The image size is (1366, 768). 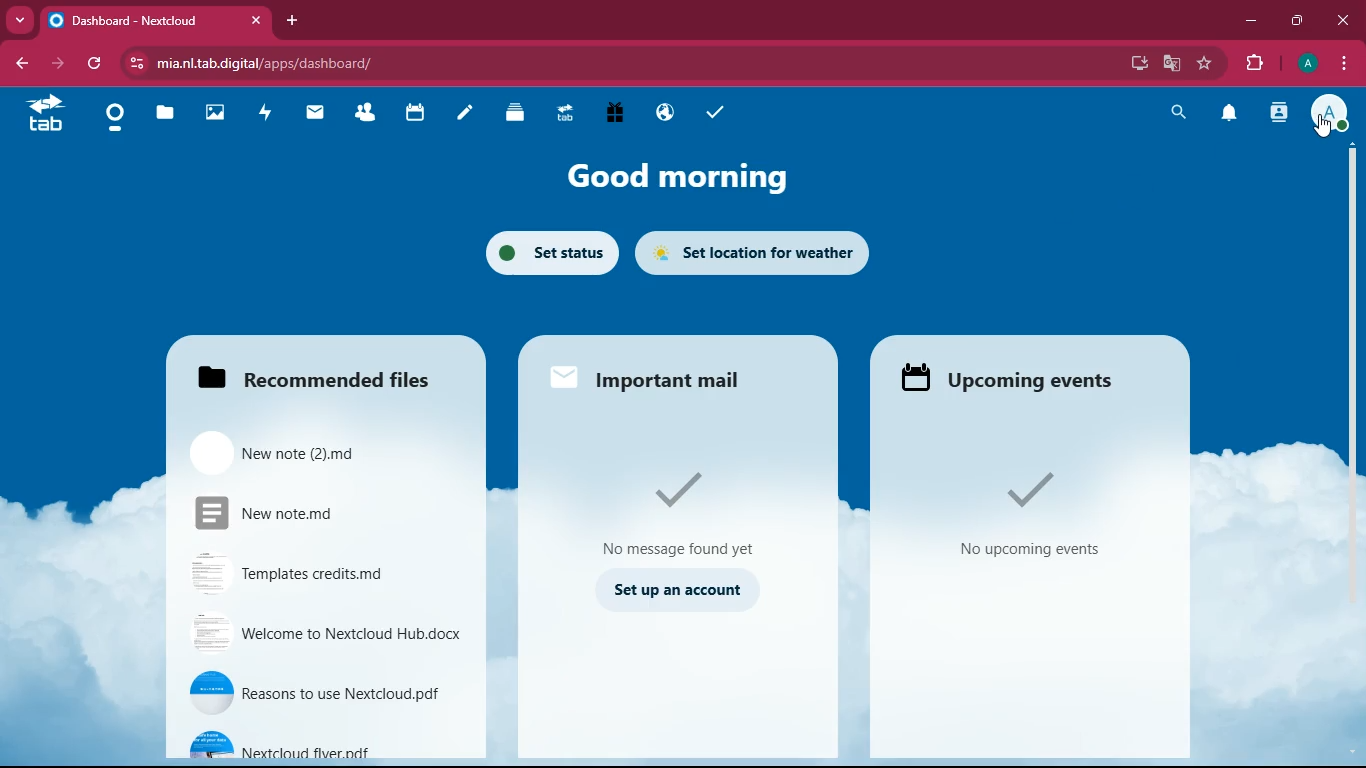 What do you see at coordinates (216, 114) in the screenshot?
I see `images` at bounding box center [216, 114].